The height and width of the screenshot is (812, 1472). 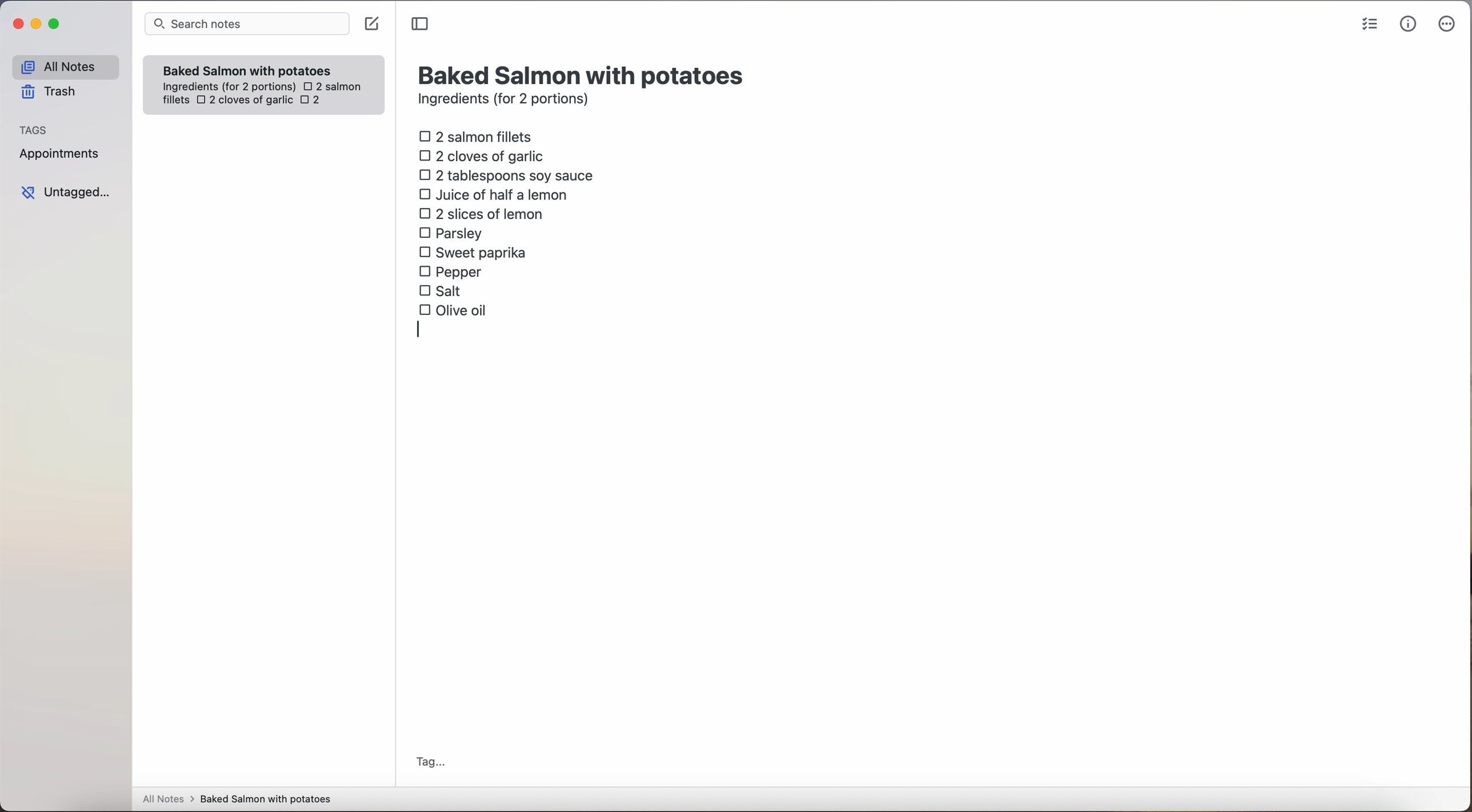 What do you see at coordinates (1370, 25) in the screenshot?
I see `check list` at bounding box center [1370, 25].